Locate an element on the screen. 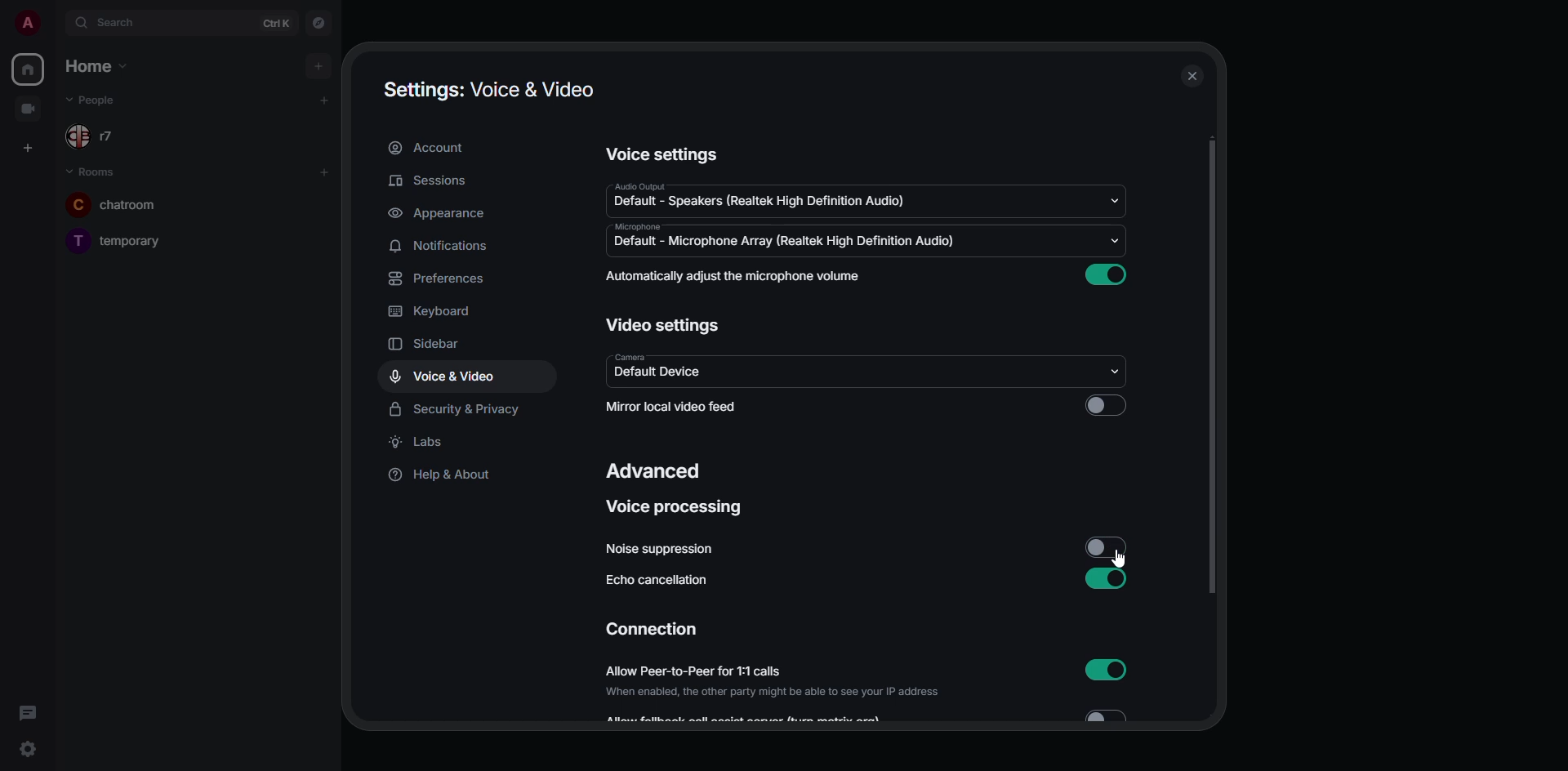 This screenshot has height=771, width=1568. sessions is located at coordinates (428, 182).